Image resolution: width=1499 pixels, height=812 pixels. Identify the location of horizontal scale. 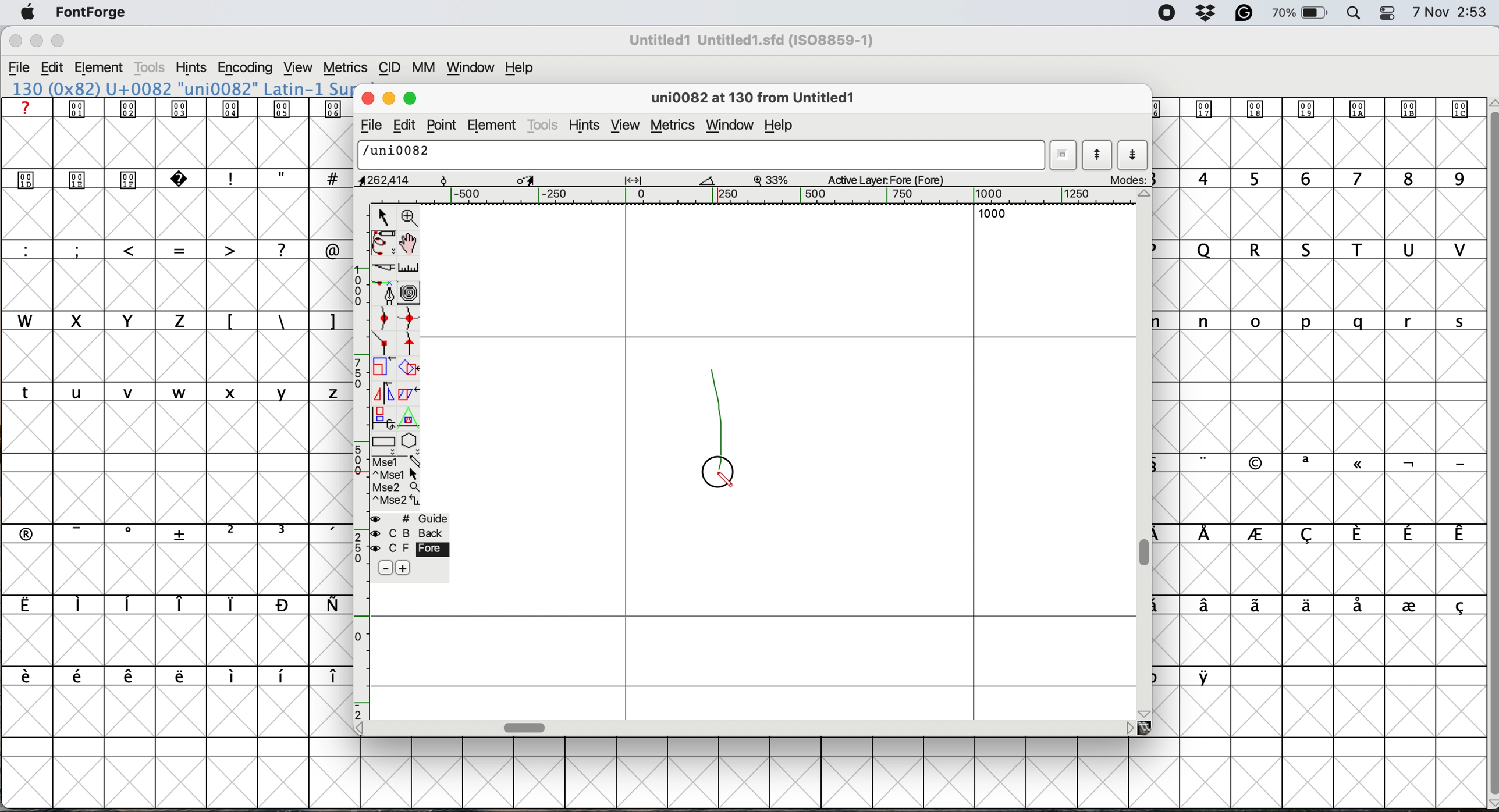
(526, 725).